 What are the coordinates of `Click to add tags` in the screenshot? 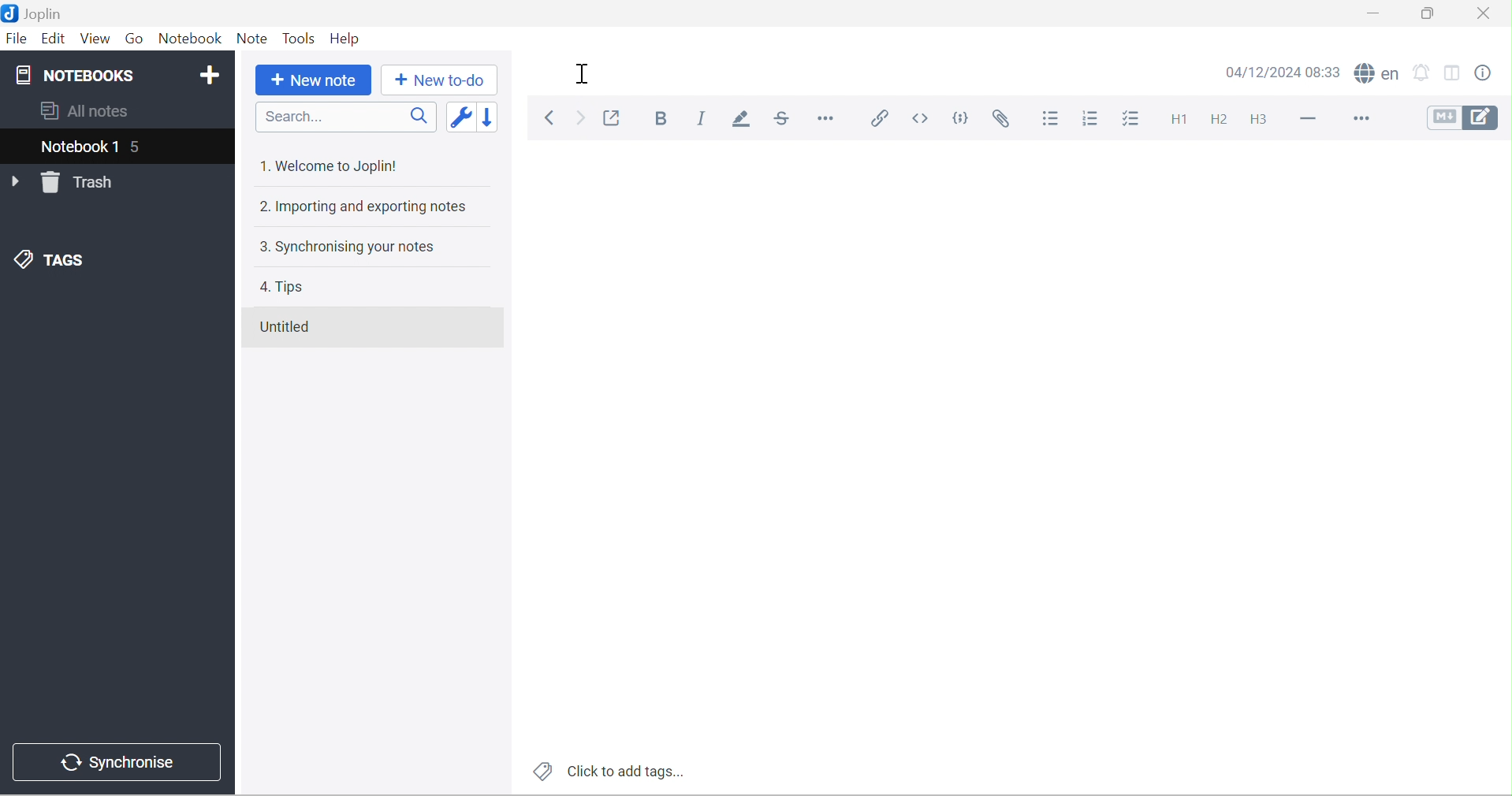 It's located at (608, 772).